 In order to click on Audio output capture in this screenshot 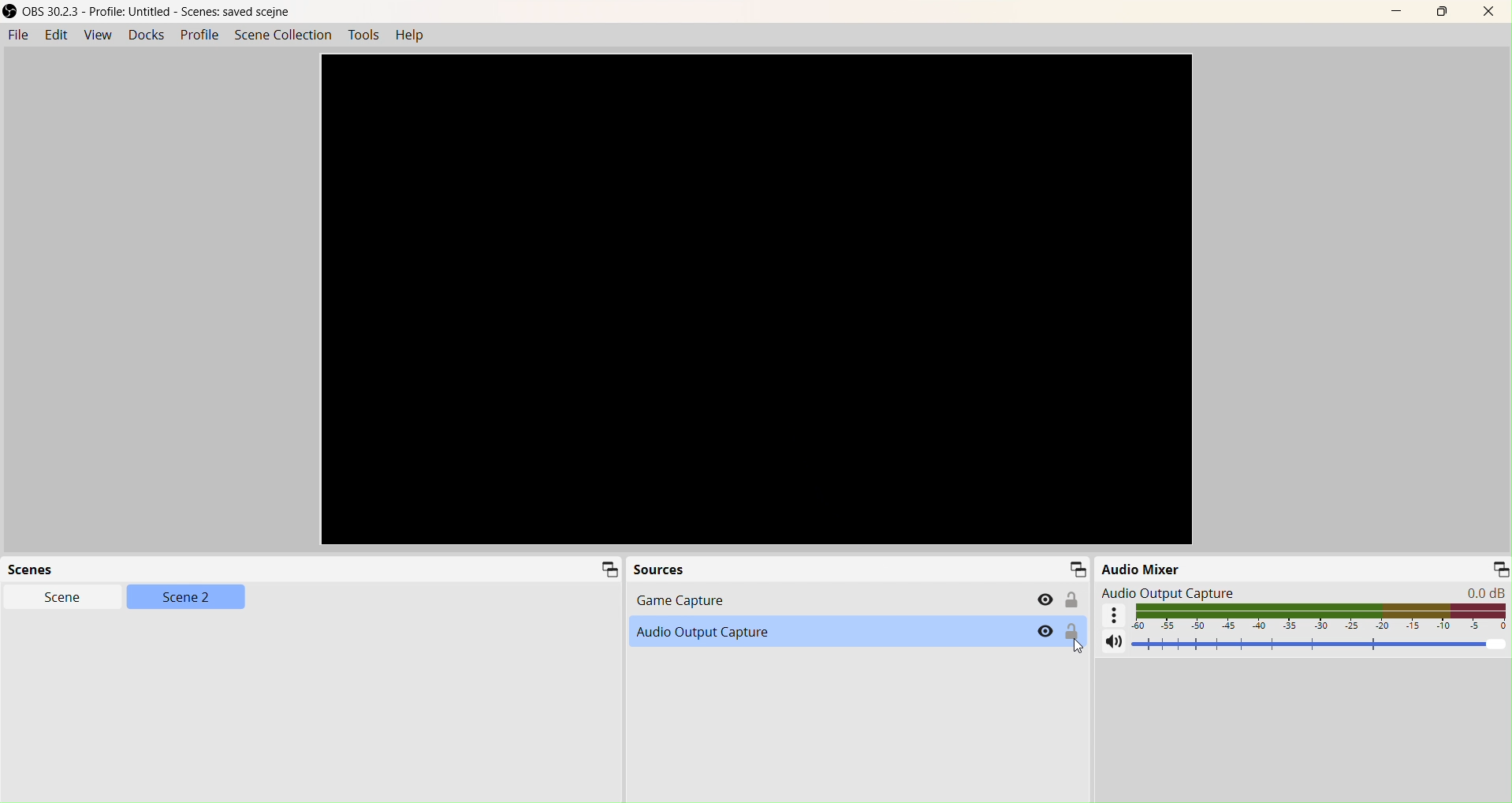, I will do `click(1298, 591)`.